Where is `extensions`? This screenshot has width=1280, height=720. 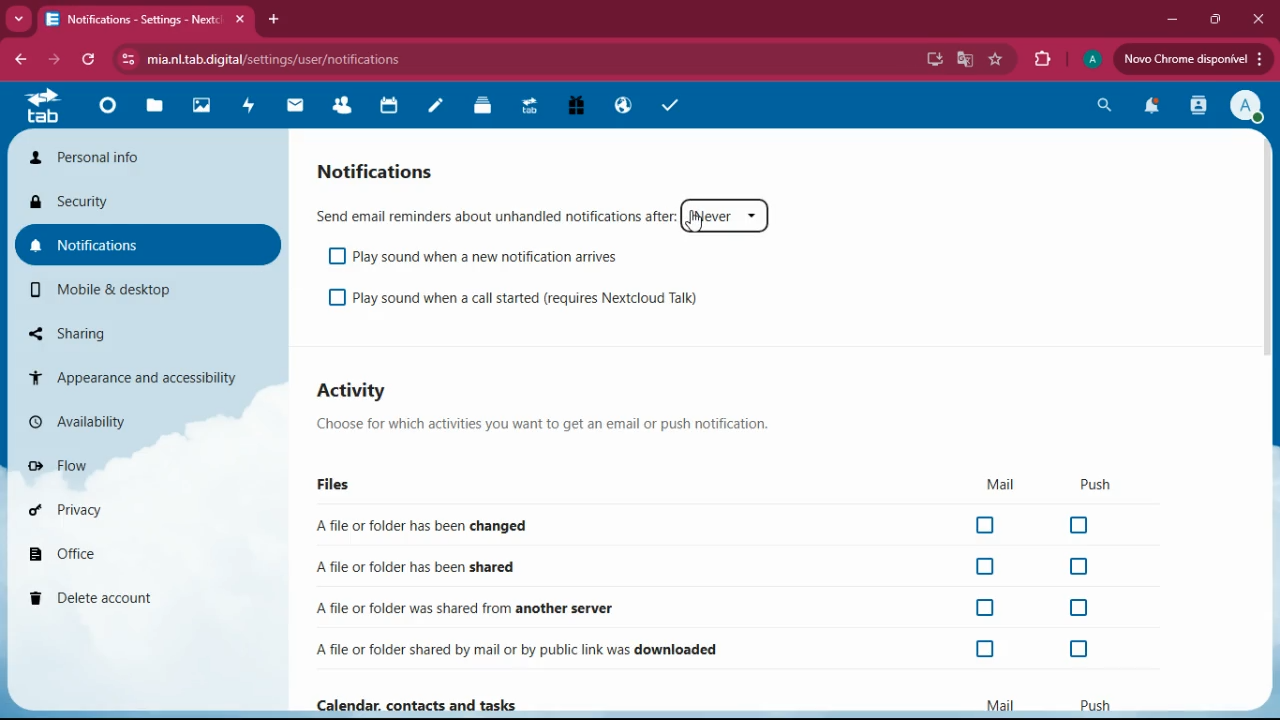
extensions is located at coordinates (1041, 60).